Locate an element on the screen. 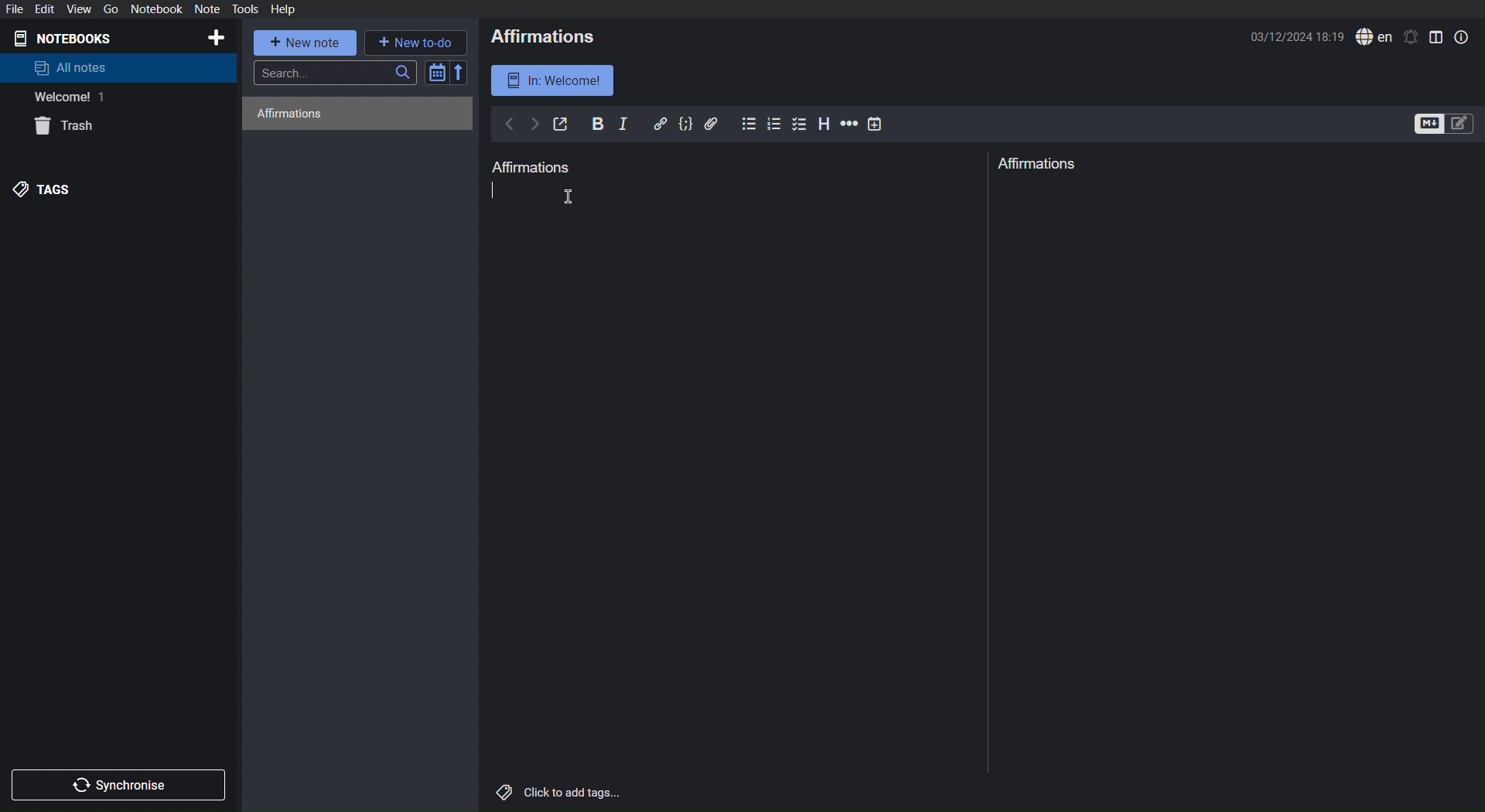  Notebooks is located at coordinates (70, 37).